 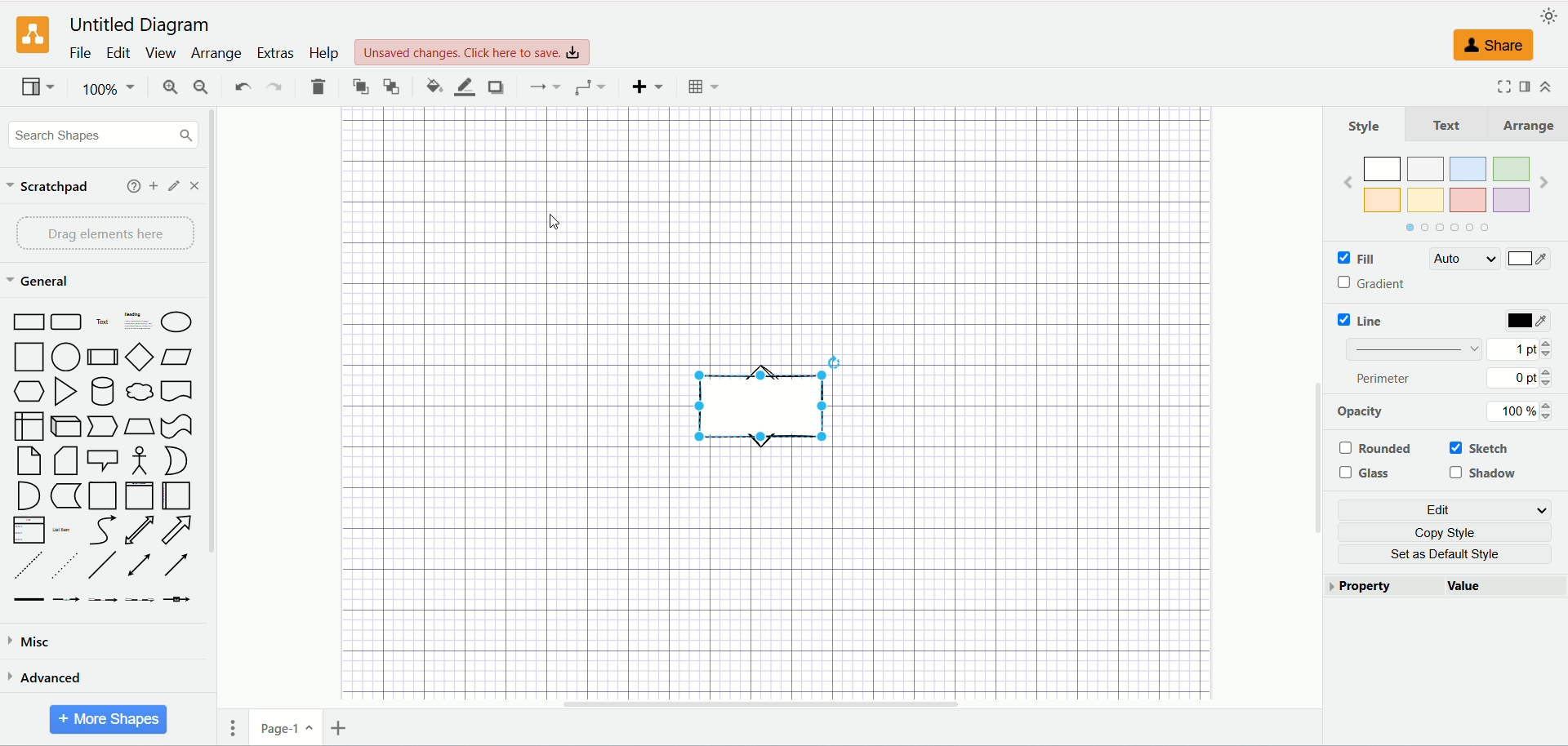 What do you see at coordinates (590, 88) in the screenshot?
I see `connection` at bounding box center [590, 88].